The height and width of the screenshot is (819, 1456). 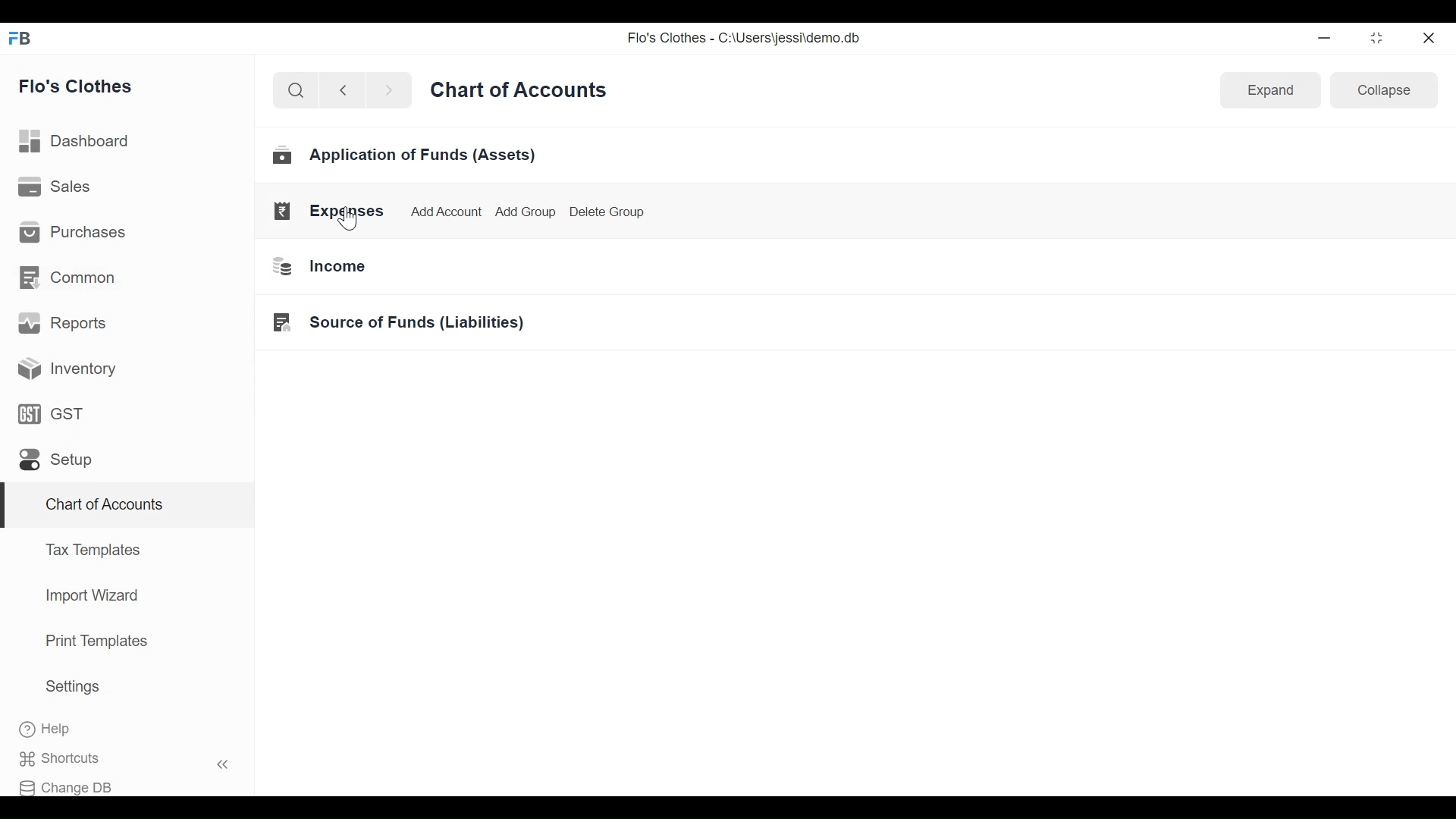 I want to click on Shortcuts, so click(x=133, y=758).